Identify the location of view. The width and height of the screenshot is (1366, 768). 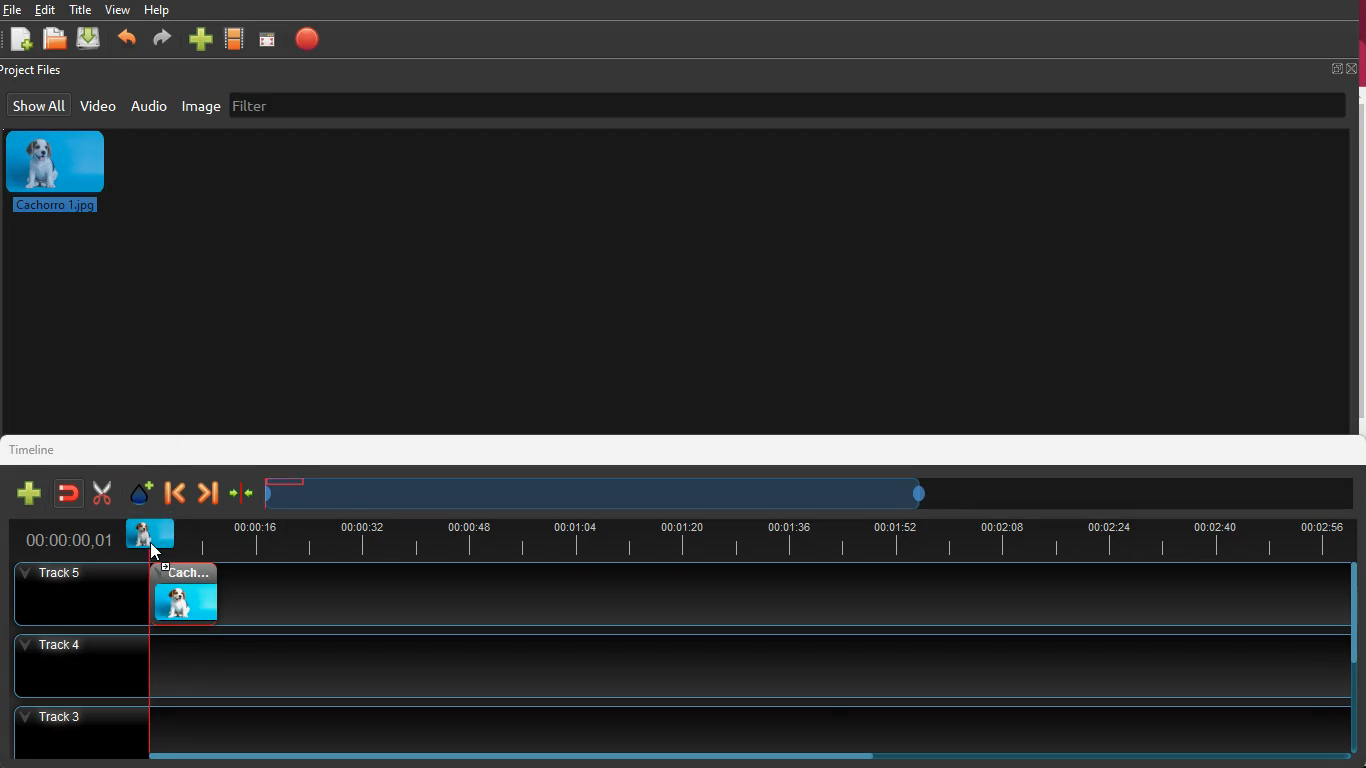
(120, 11).